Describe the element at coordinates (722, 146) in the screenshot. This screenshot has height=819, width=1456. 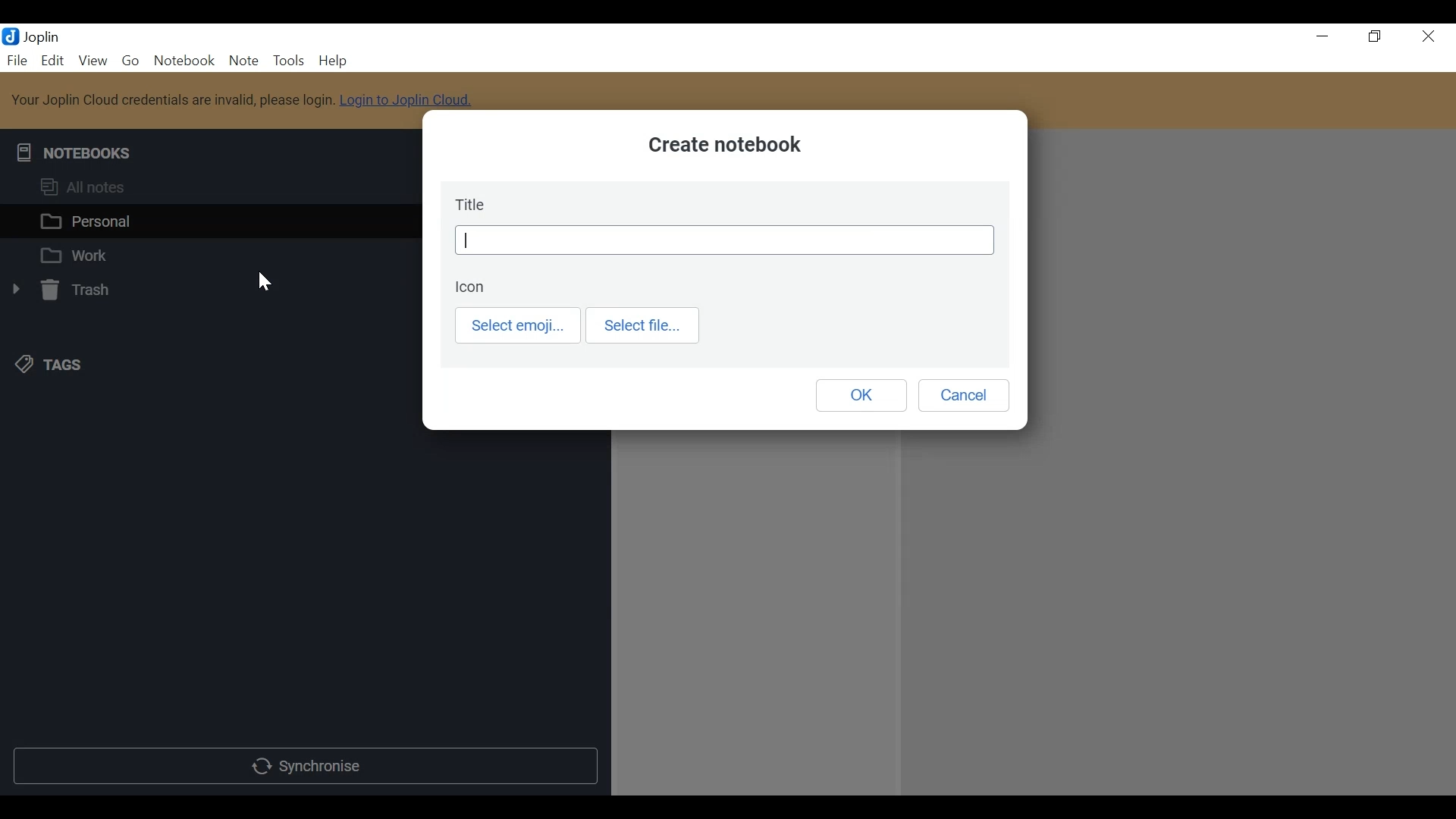
I see `Create notebook` at that location.